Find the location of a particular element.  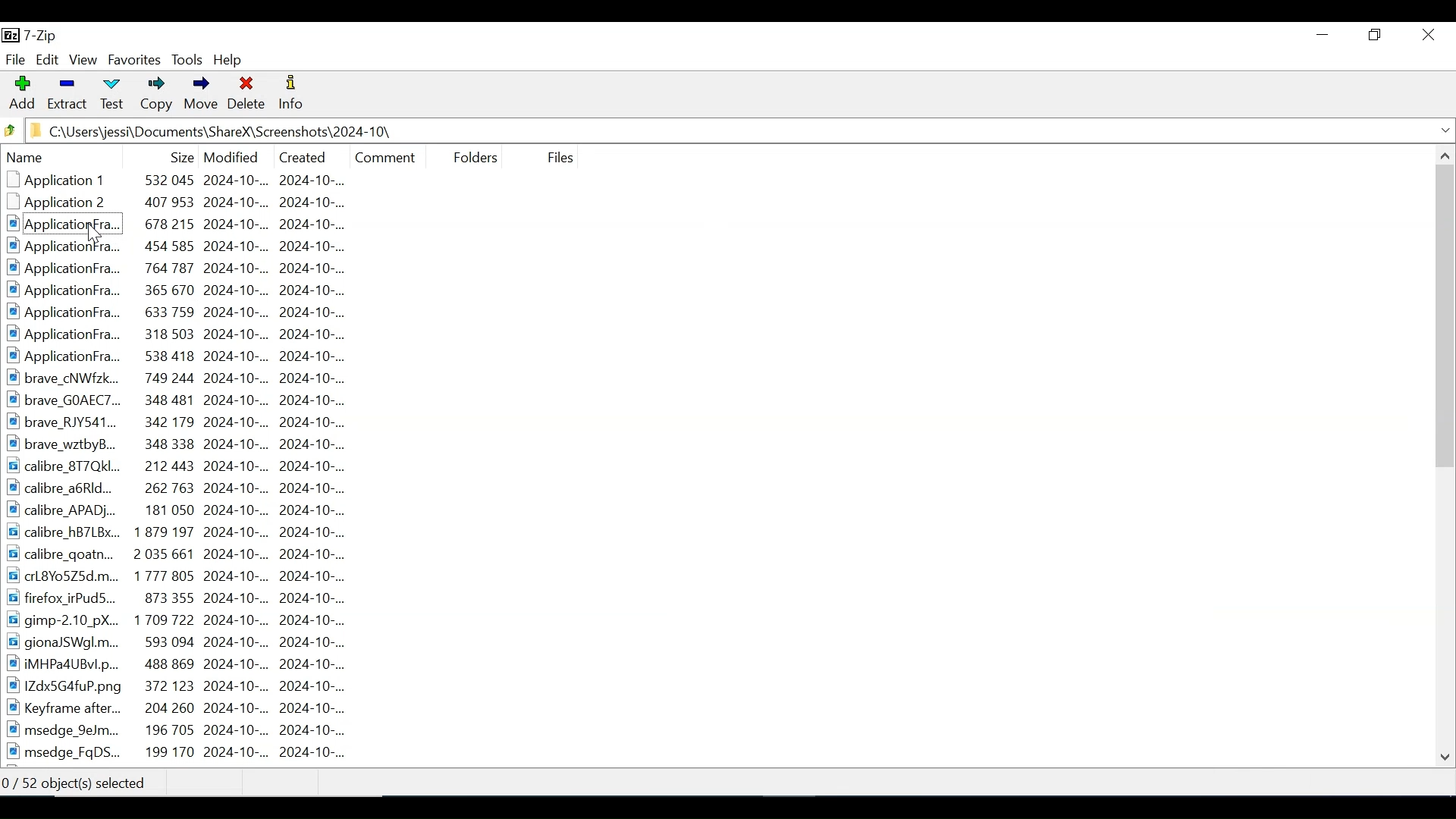

Applicationfra... 678 215 2024-10-.. 2024-10-... is located at coordinates (194, 224).